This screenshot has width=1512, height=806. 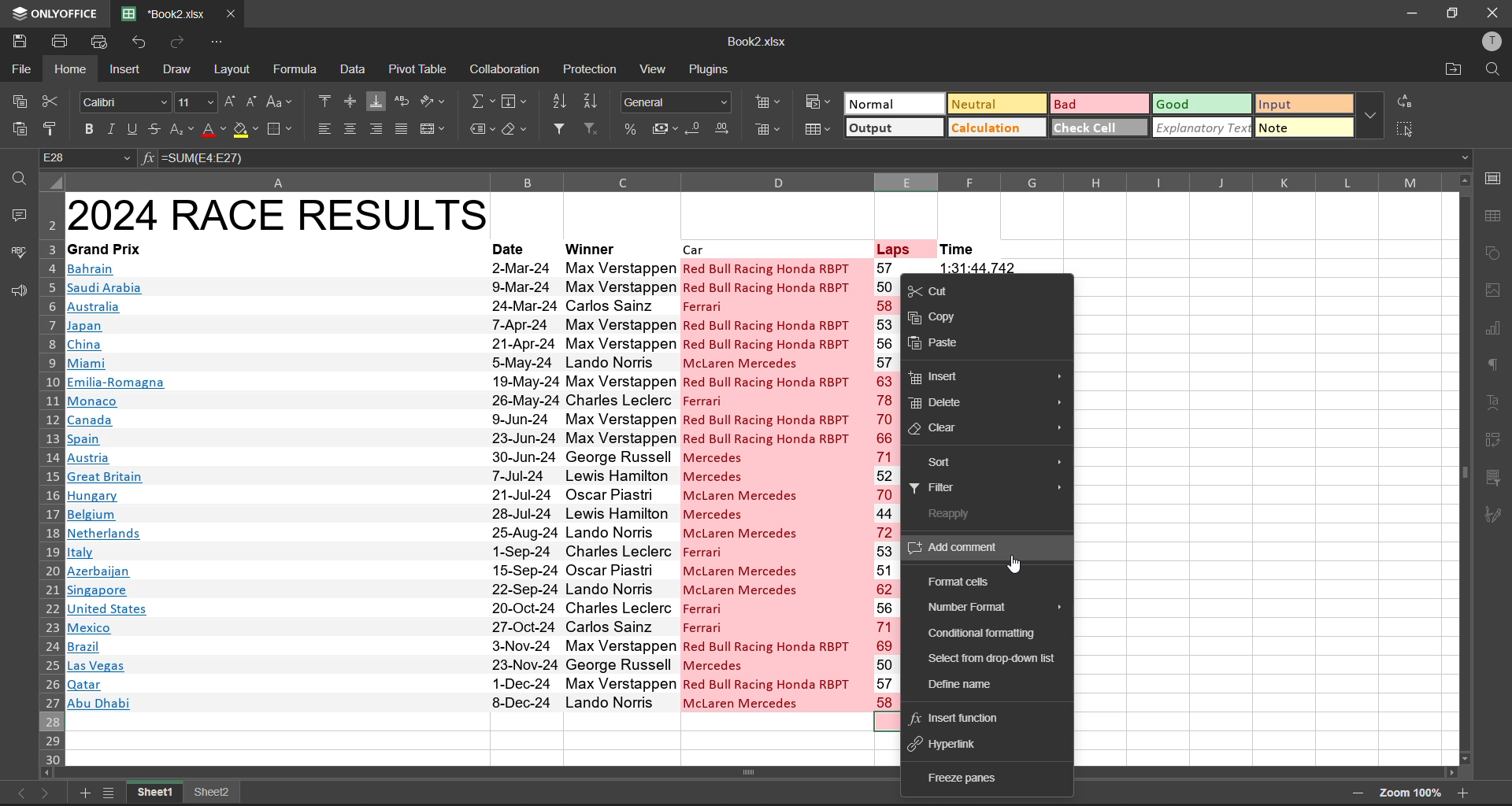 What do you see at coordinates (1493, 481) in the screenshot?
I see `slicer` at bounding box center [1493, 481].